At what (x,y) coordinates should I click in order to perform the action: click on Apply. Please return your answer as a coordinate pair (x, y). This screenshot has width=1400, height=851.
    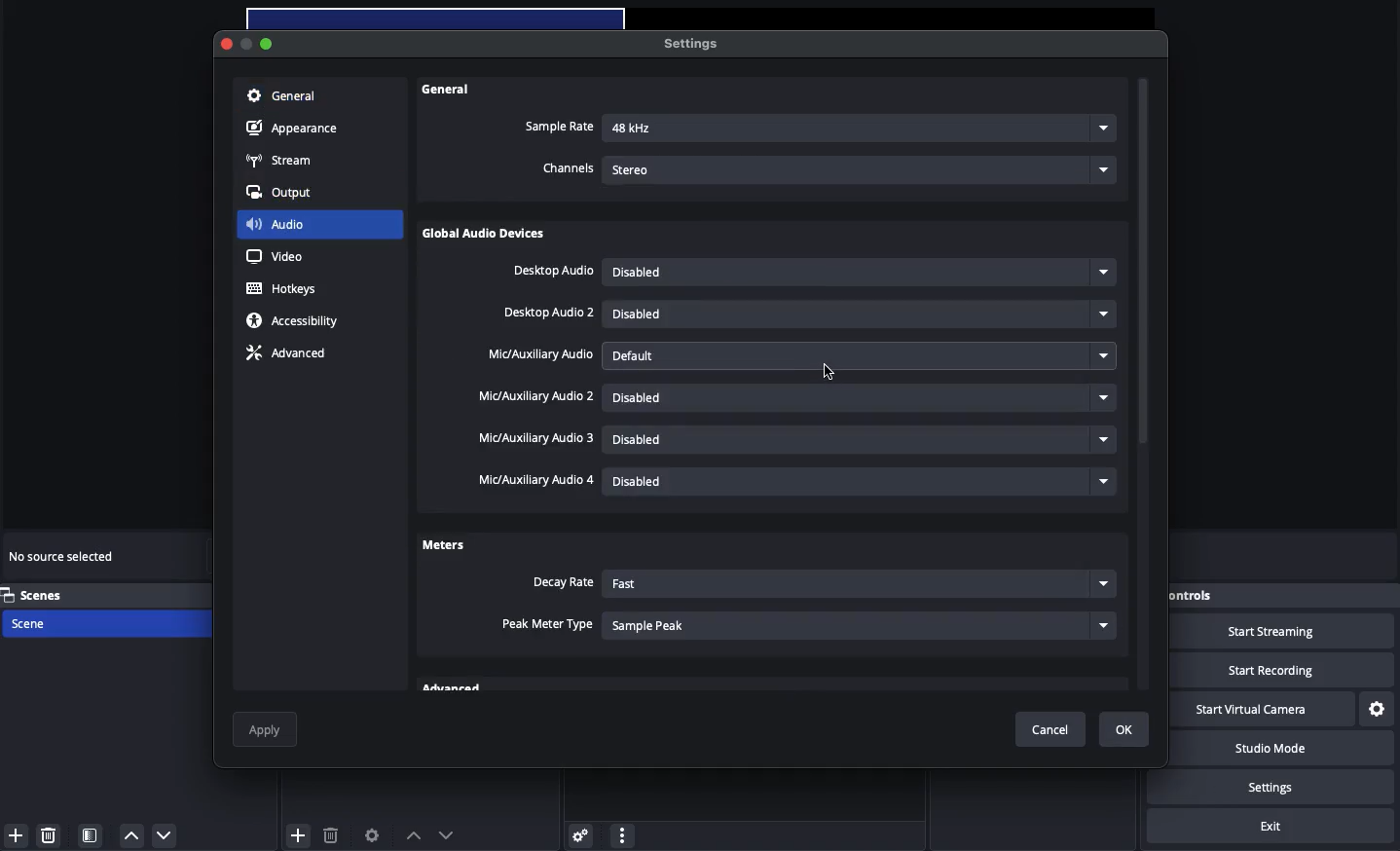
    Looking at the image, I should click on (267, 729).